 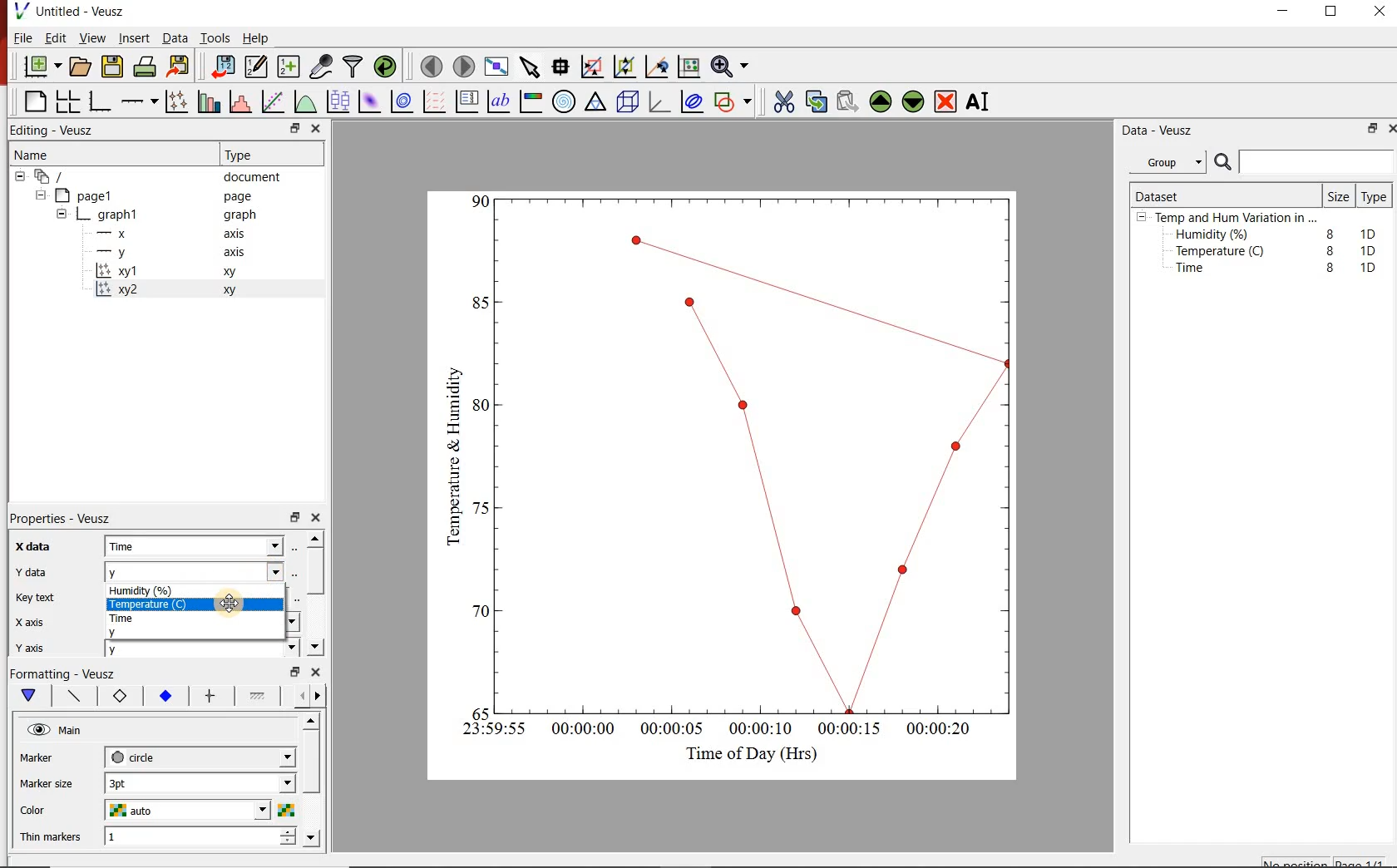 I want to click on y axis, so click(x=42, y=645).